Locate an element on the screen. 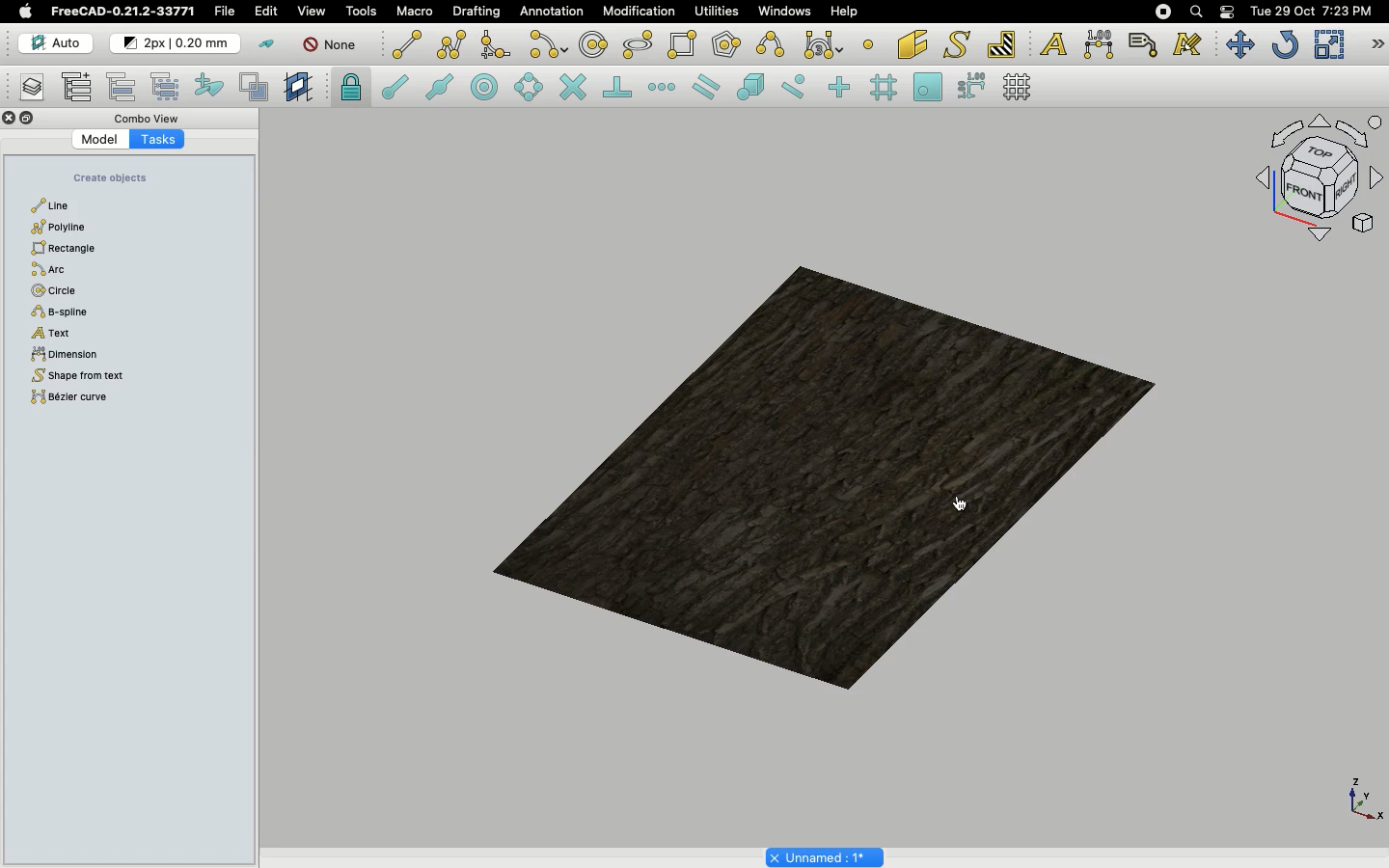 This screenshot has height=868, width=1389. Text is located at coordinates (1053, 42).